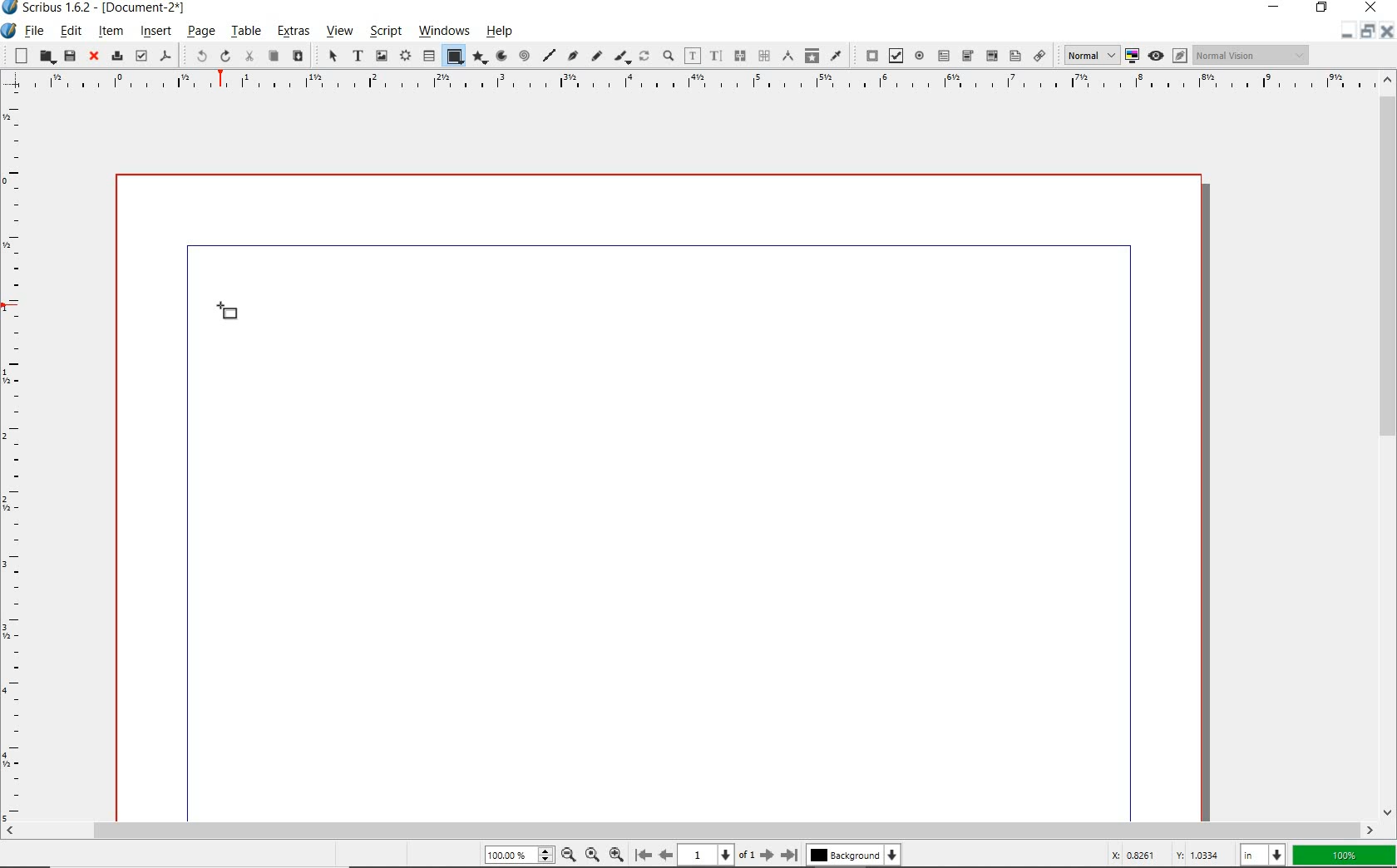  Describe the element at coordinates (96, 7) in the screenshot. I see `system name` at that location.